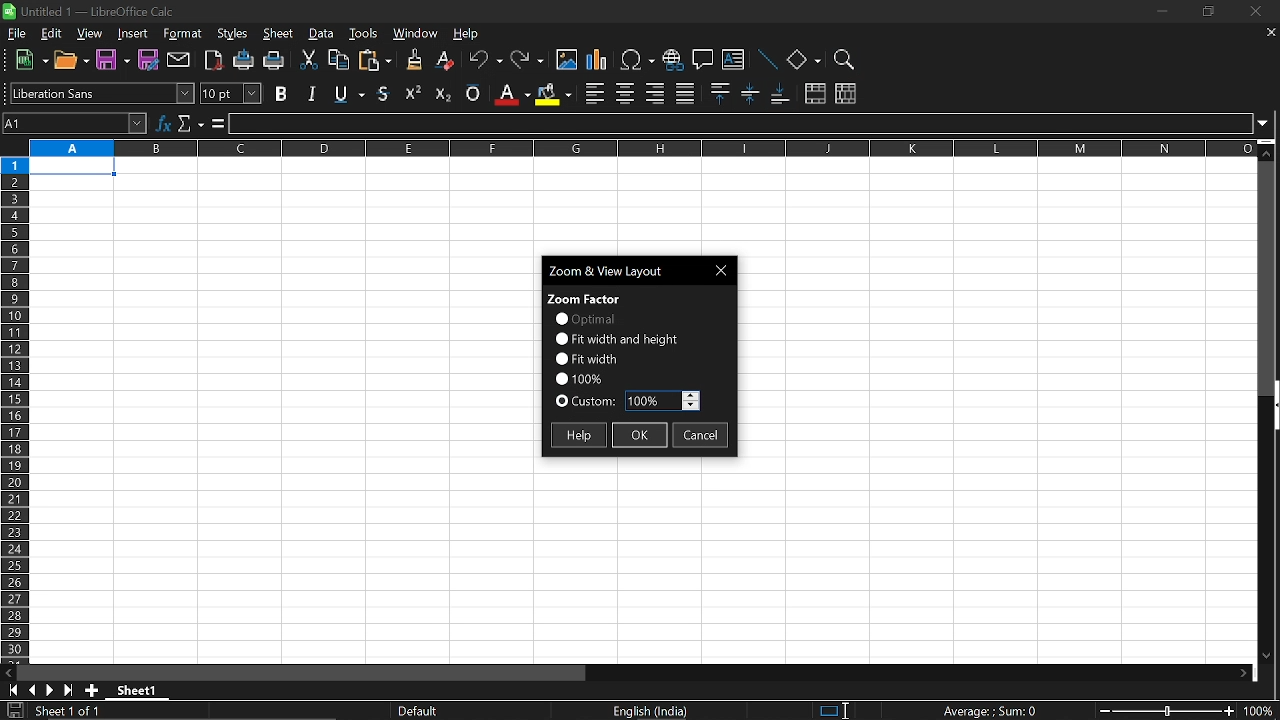 Image resolution: width=1280 pixels, height=720 pixels. Describe the element at coordinates (51, 34) in the screenshot. I see `edit` at that location.